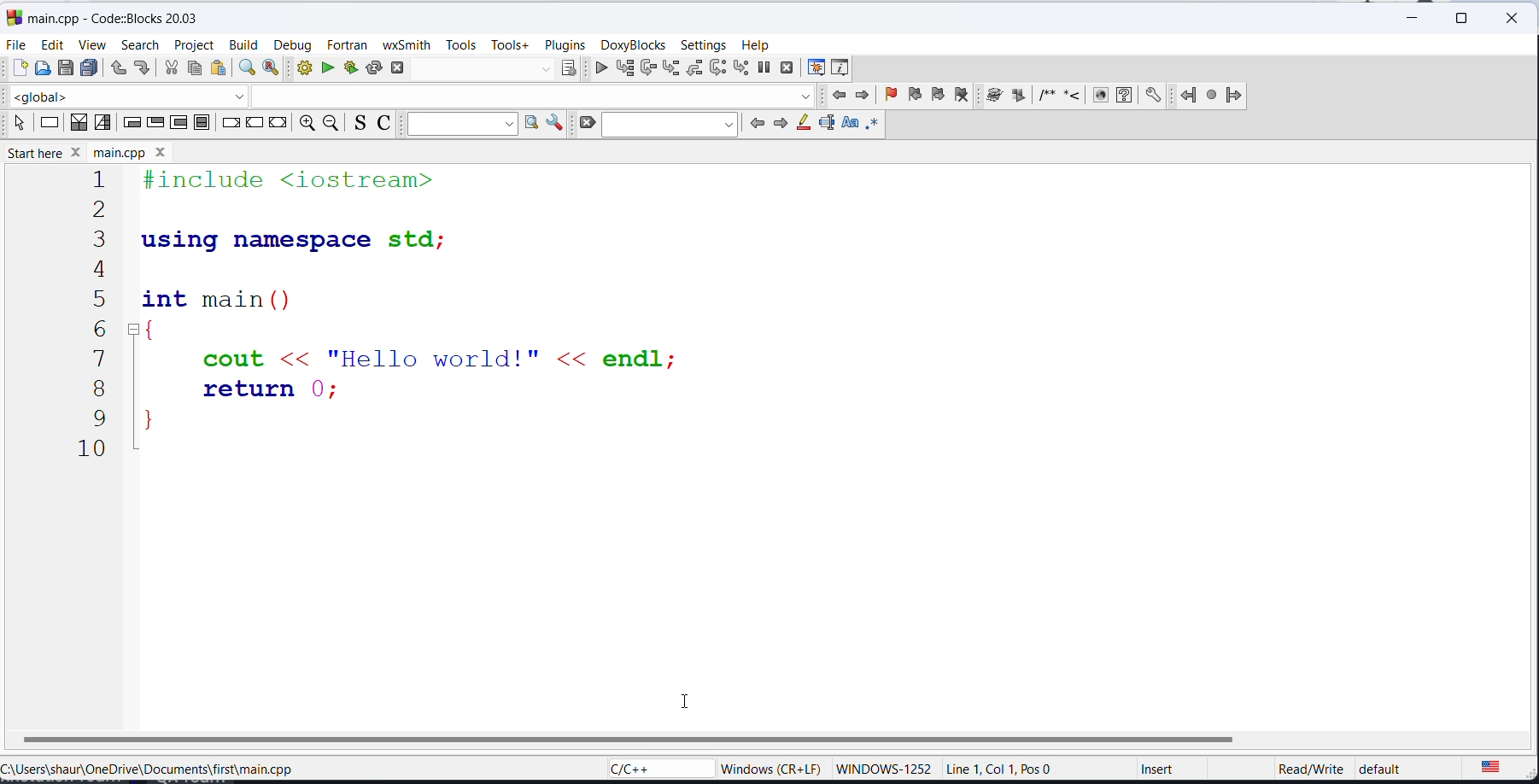  What do you see at coordinates (459, 44) in the screenshot?
I see `tools` at bounding box center [459, 44].